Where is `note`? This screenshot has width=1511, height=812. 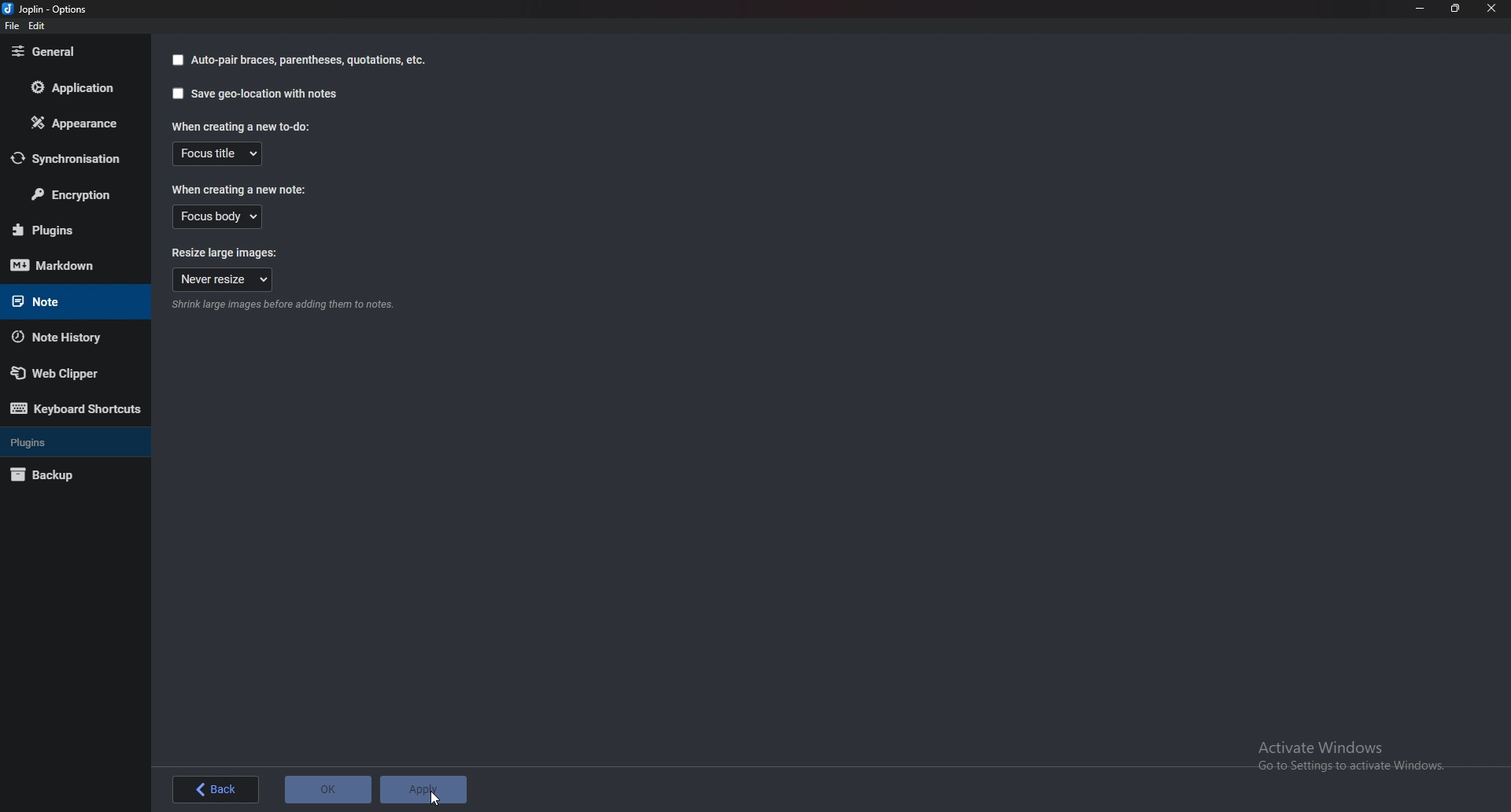
note is located at coordinates (68, 301).